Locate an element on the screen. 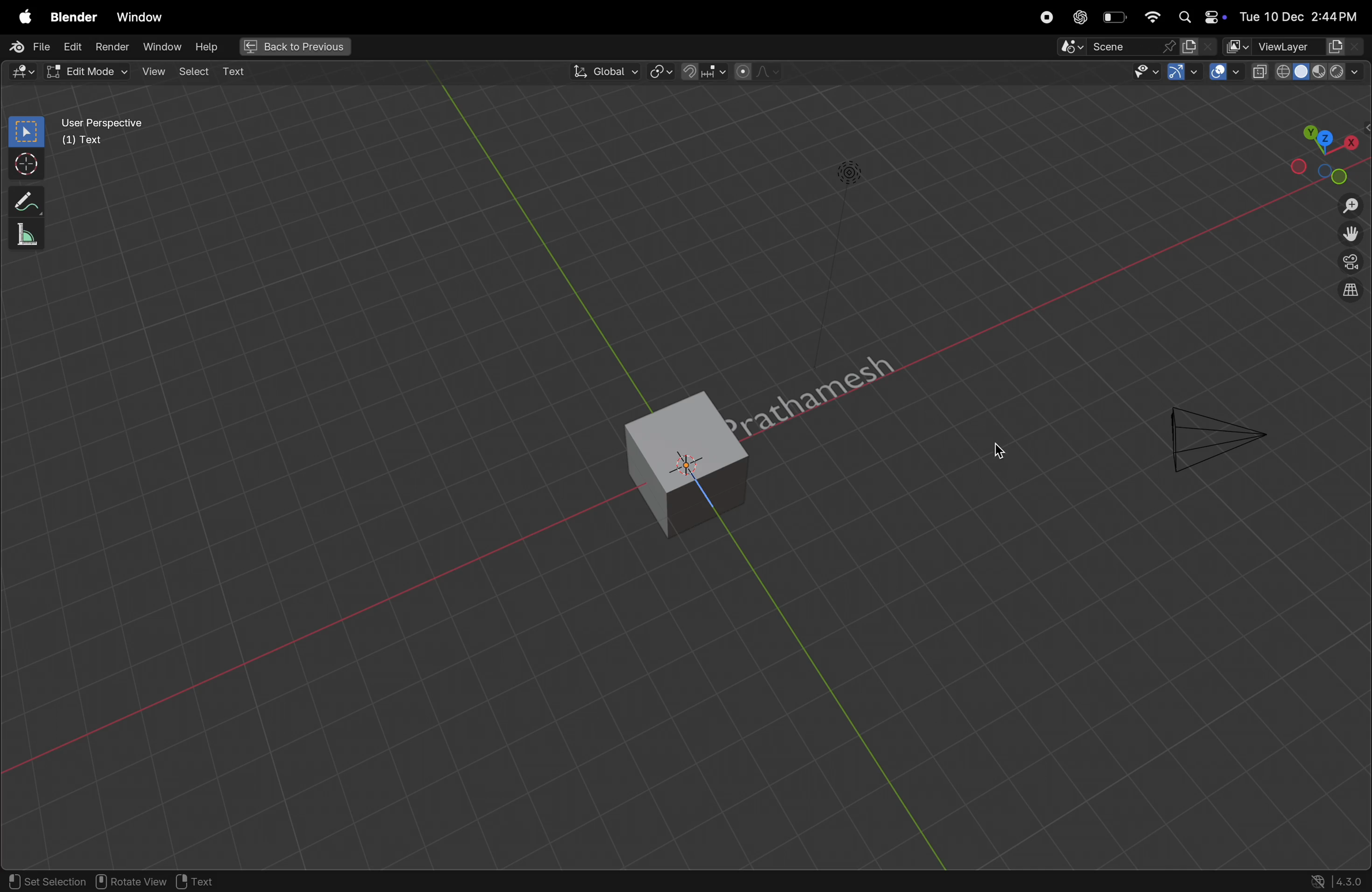  pviot point is located at coordinates (658, 73).